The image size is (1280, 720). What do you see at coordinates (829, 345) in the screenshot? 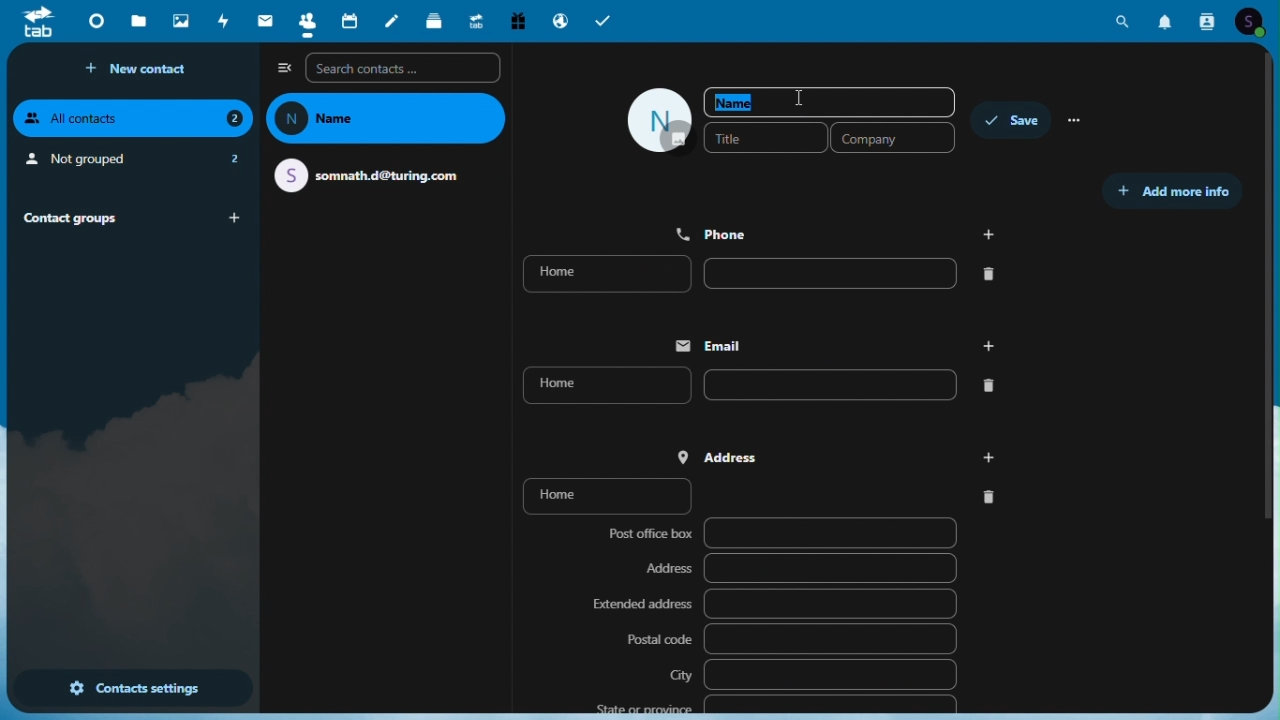
I see `email` at bounding box center [829, 345].